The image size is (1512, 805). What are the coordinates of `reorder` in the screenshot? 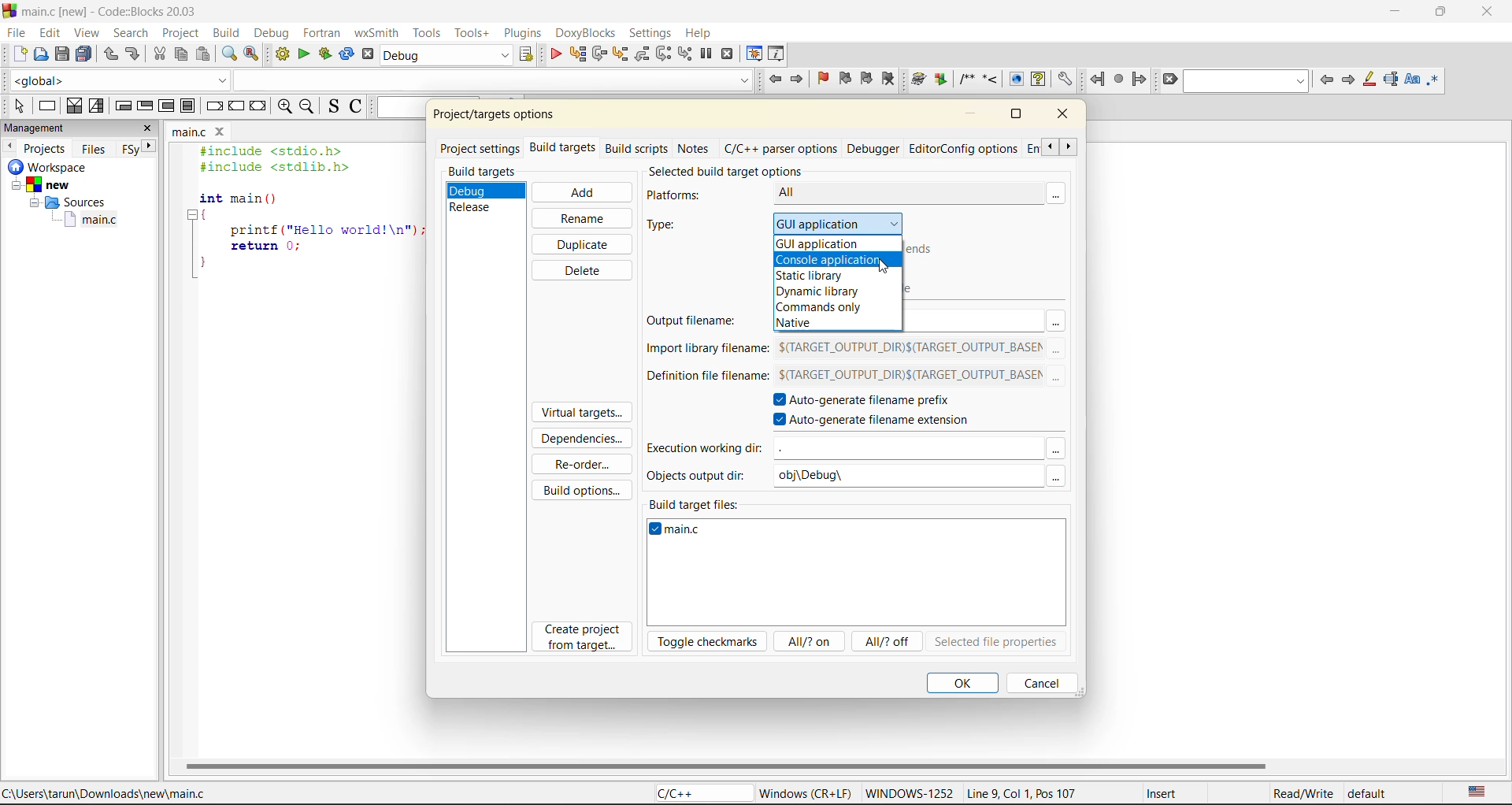 It's located at (582, 465).